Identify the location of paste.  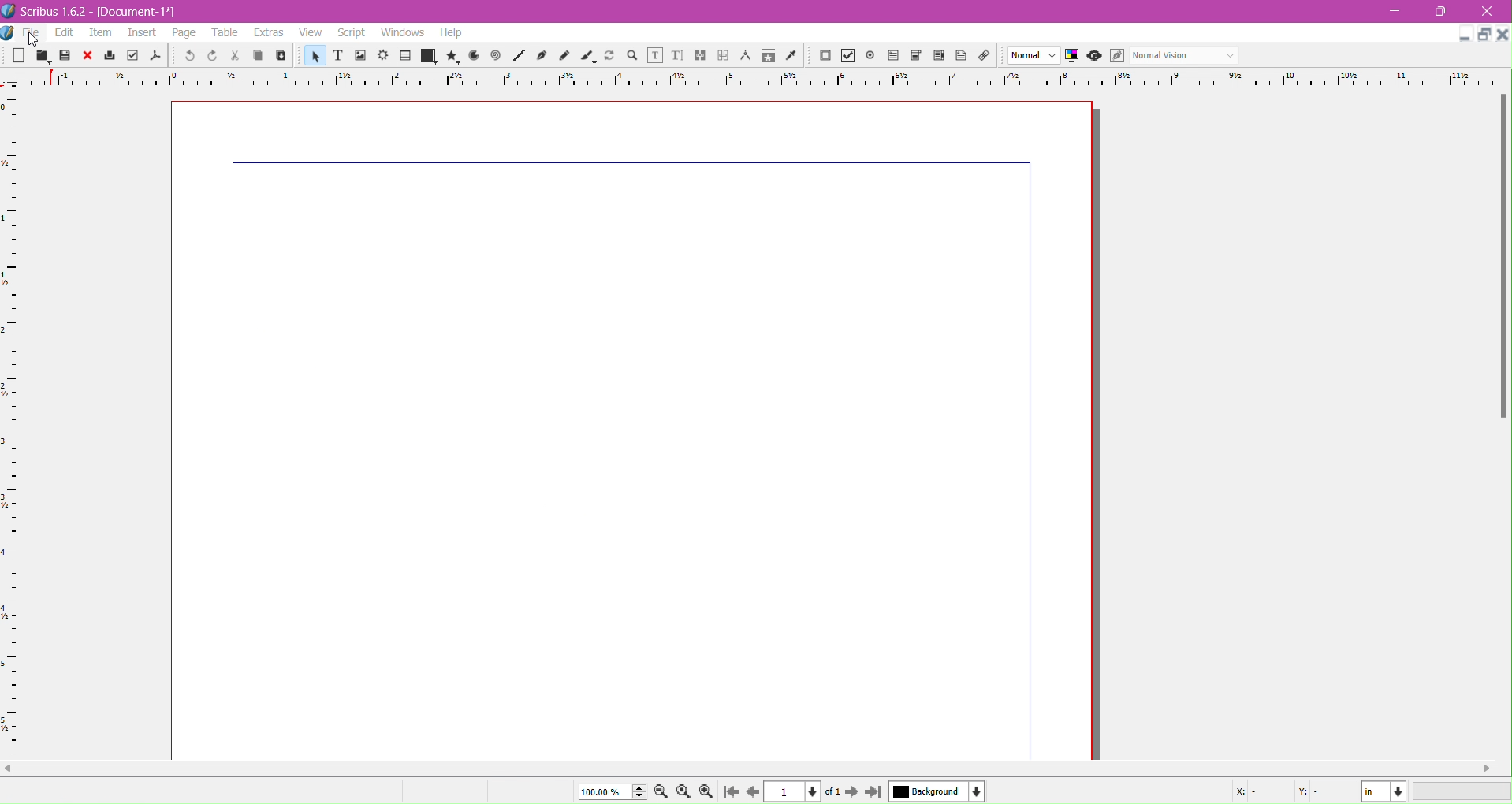
(280, 56).